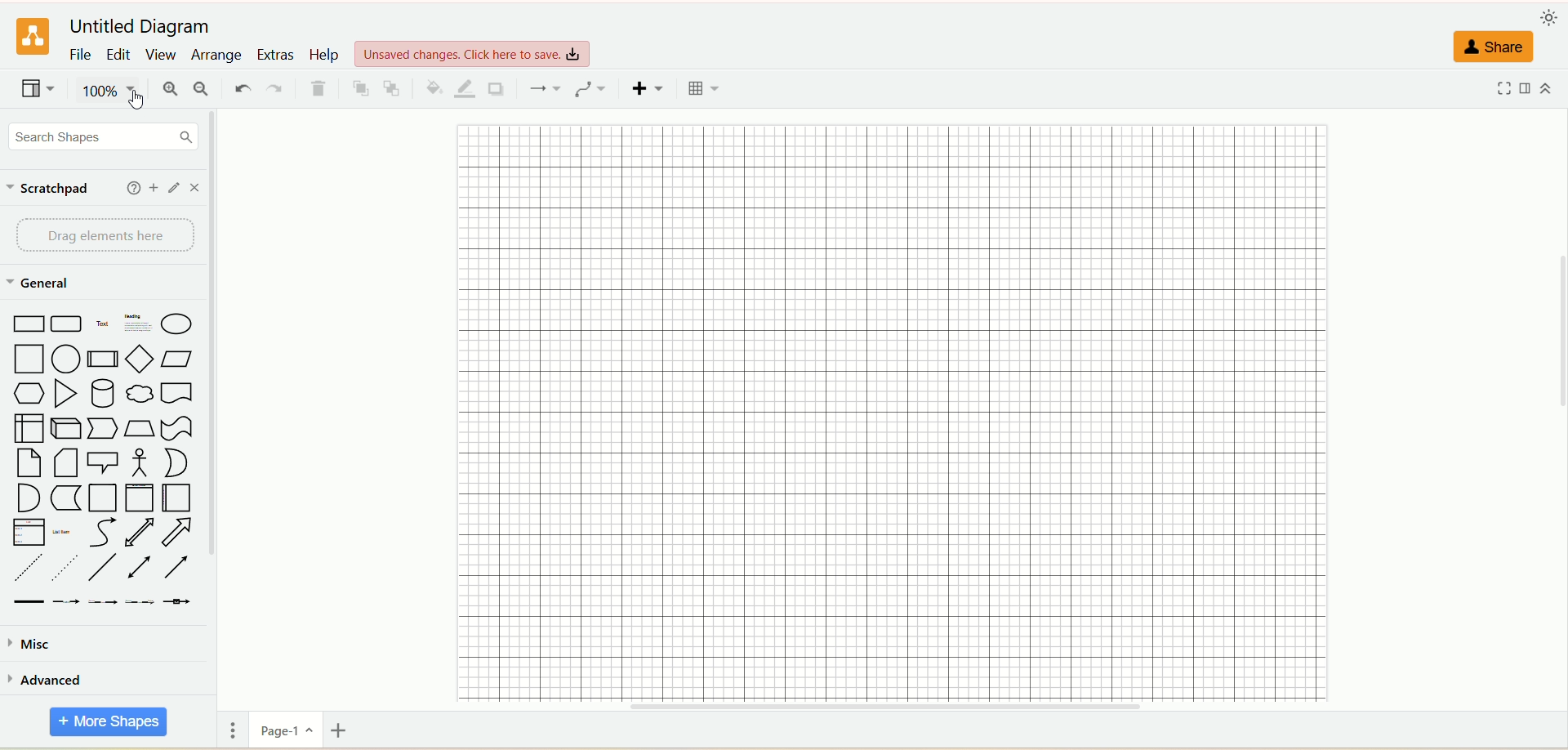 This screenshot has height=750, width=1568. What do you see at coordinates (65, 426) in the screenshot?
I see `cube` at bounding box center [65, 426].